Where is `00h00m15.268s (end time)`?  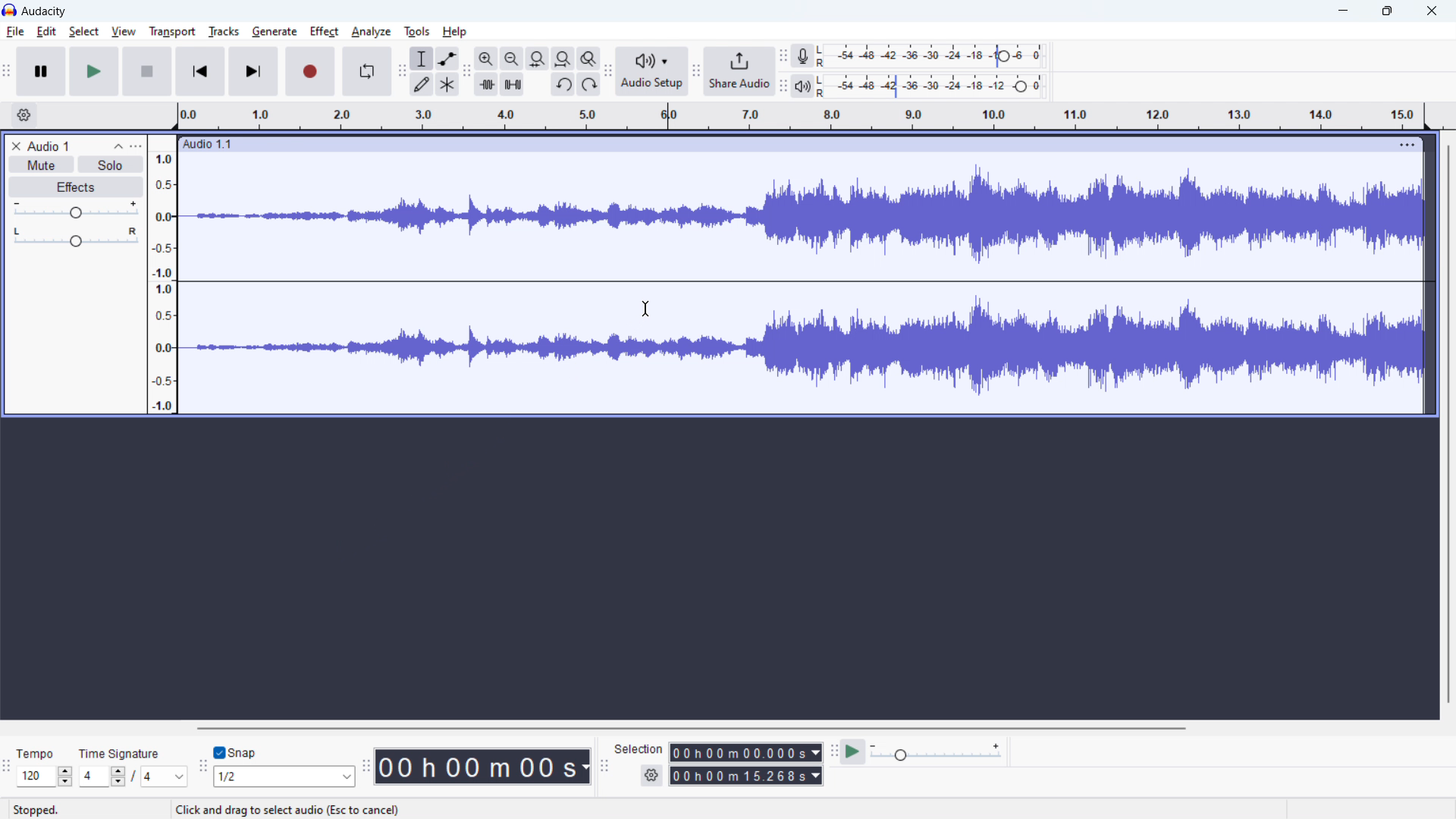
00h00m15.268s (end time) is located at coordinates (746, 776).